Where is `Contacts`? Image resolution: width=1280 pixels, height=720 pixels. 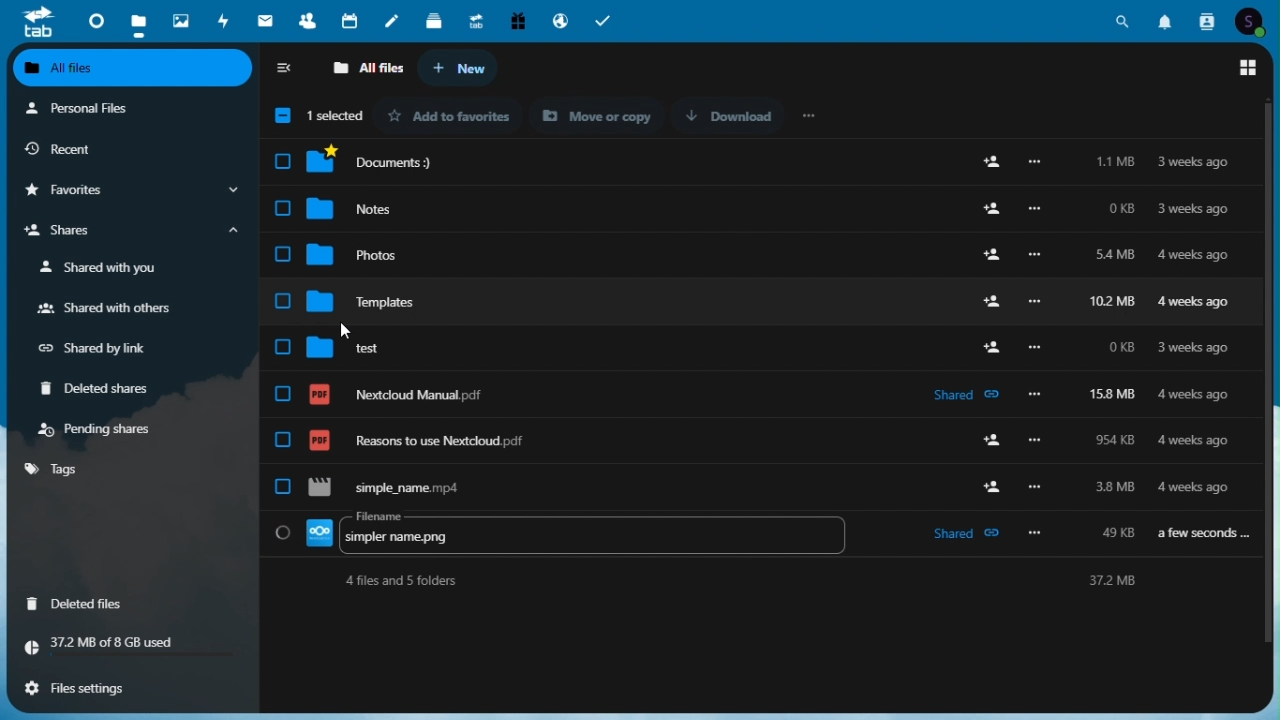
Contacts is located at coordinates (1208, 19).